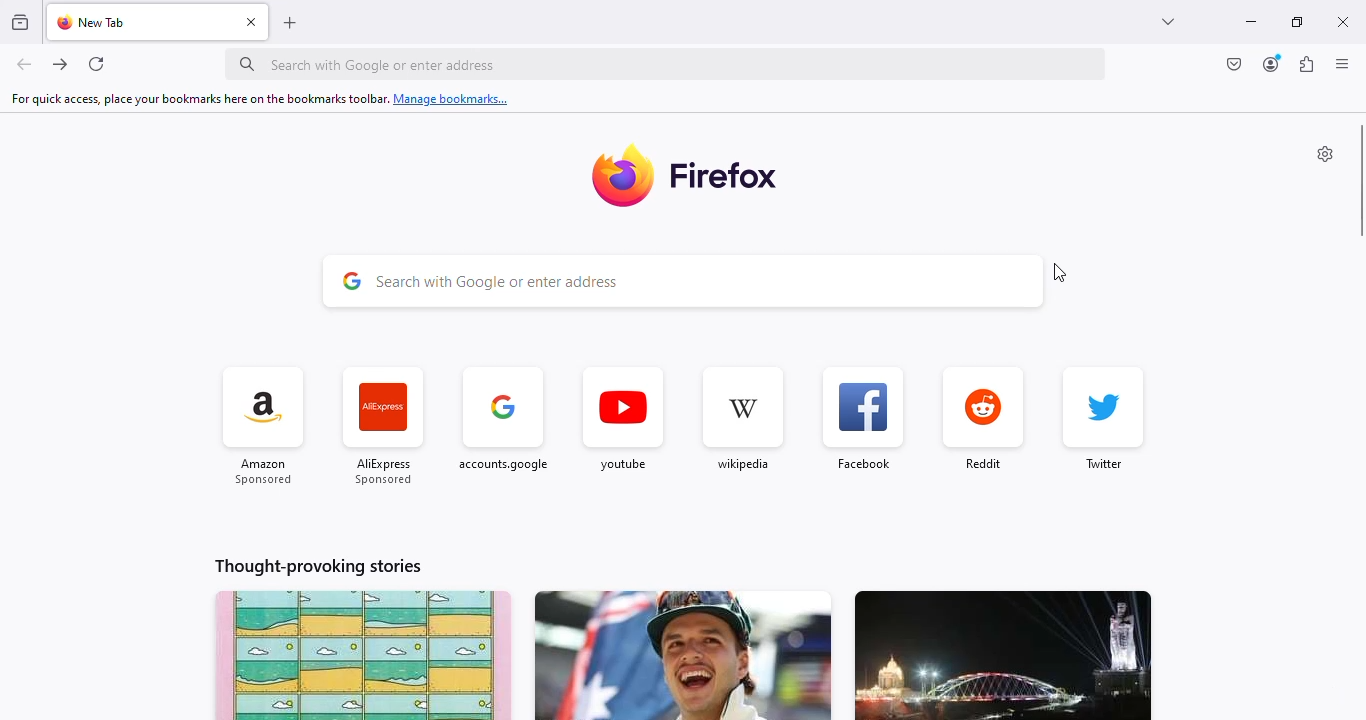  I want to click on close, so click(1344, 22).